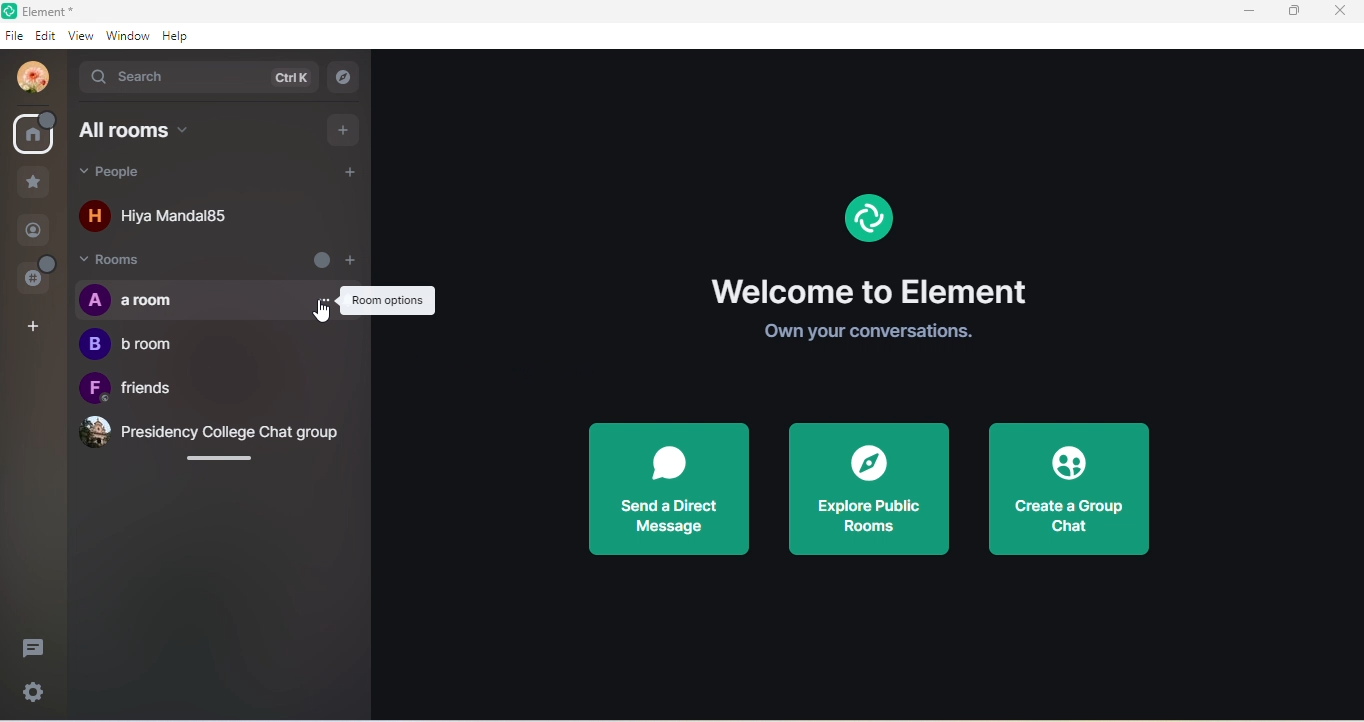  I want to click on file, so click(15, 37).